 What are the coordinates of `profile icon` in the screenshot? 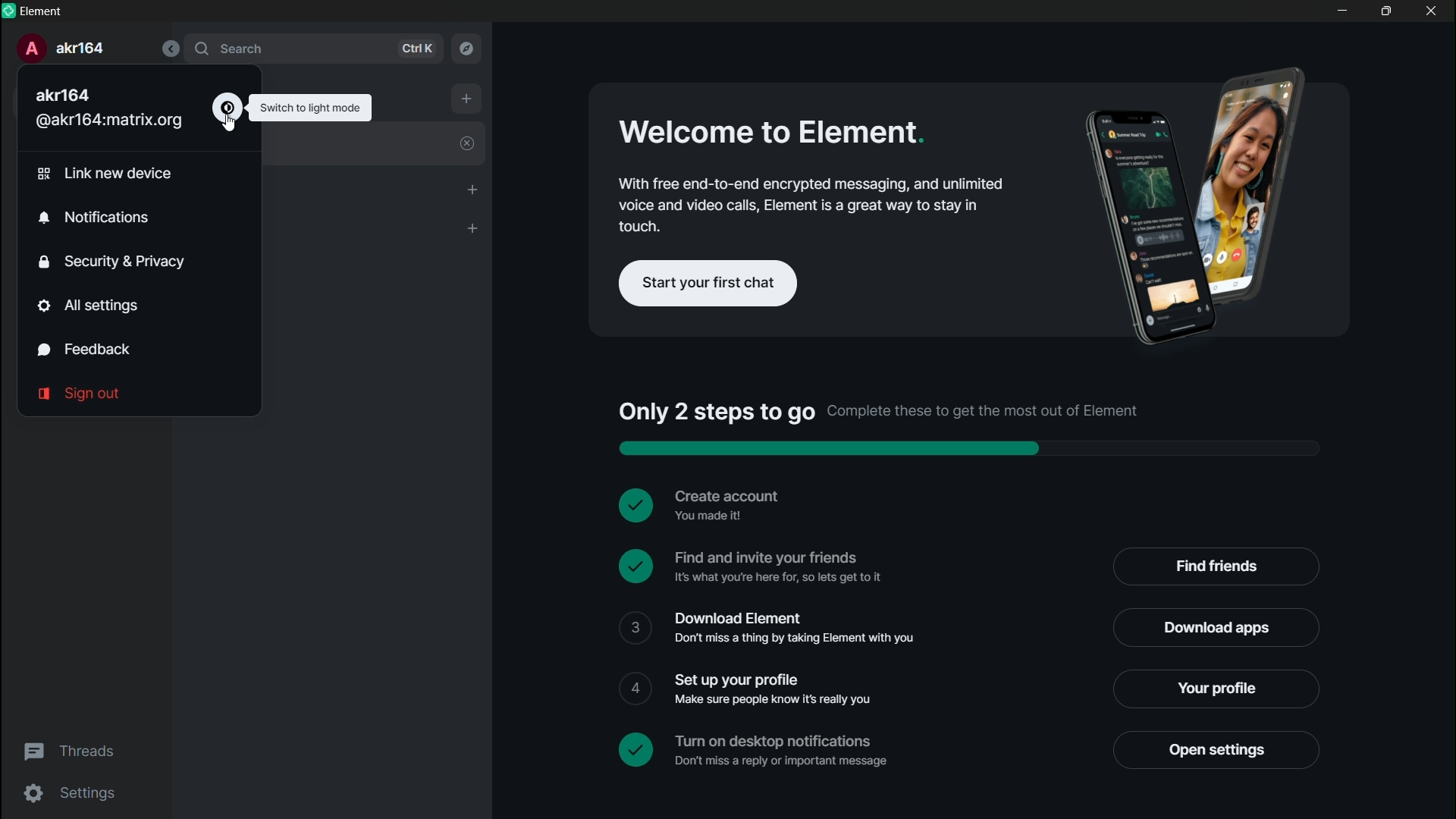 It's located at (32, 49).